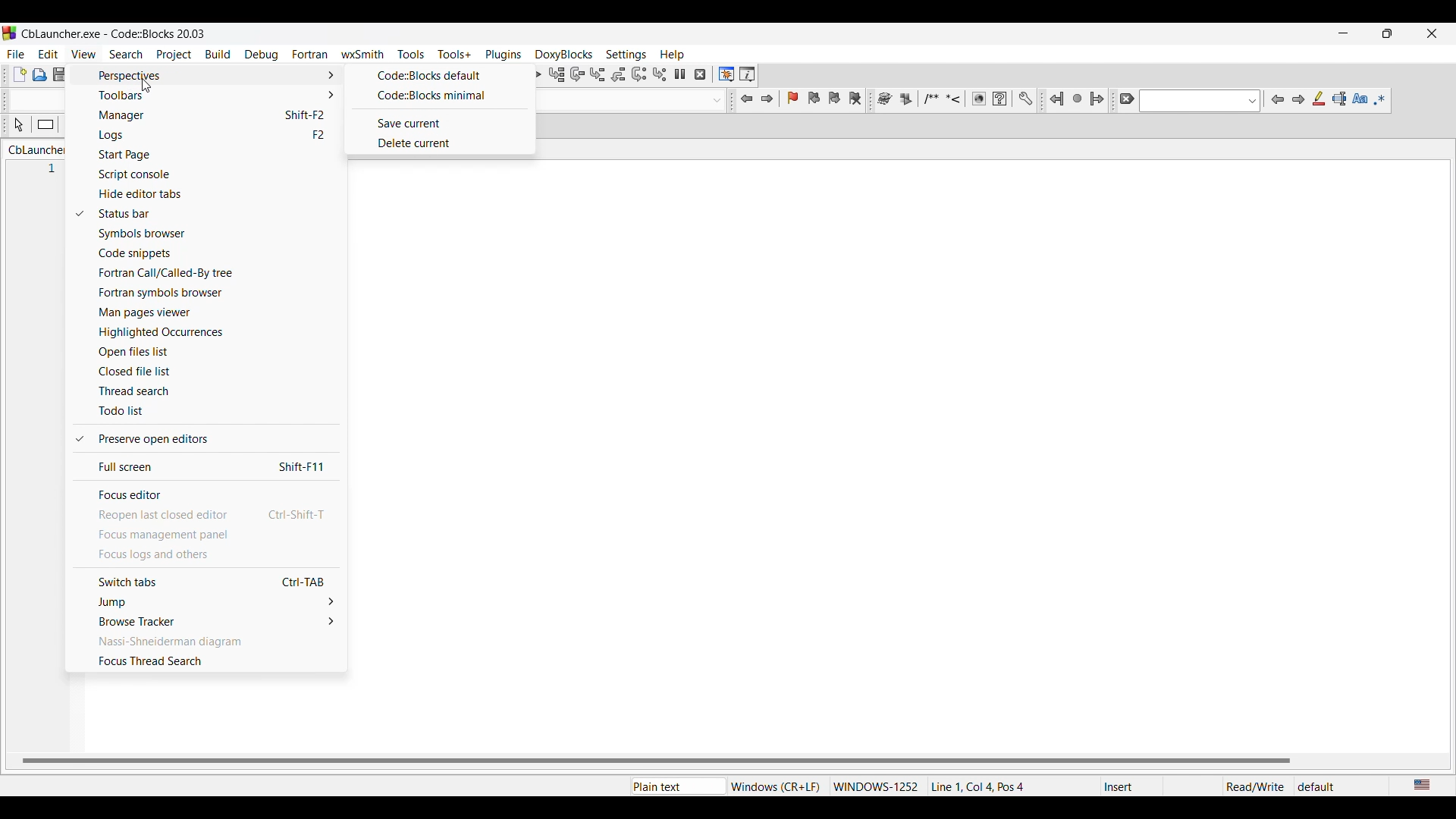 This screenshot has width=1456, height=819. I want to click on Build menu, so click(218, 54).